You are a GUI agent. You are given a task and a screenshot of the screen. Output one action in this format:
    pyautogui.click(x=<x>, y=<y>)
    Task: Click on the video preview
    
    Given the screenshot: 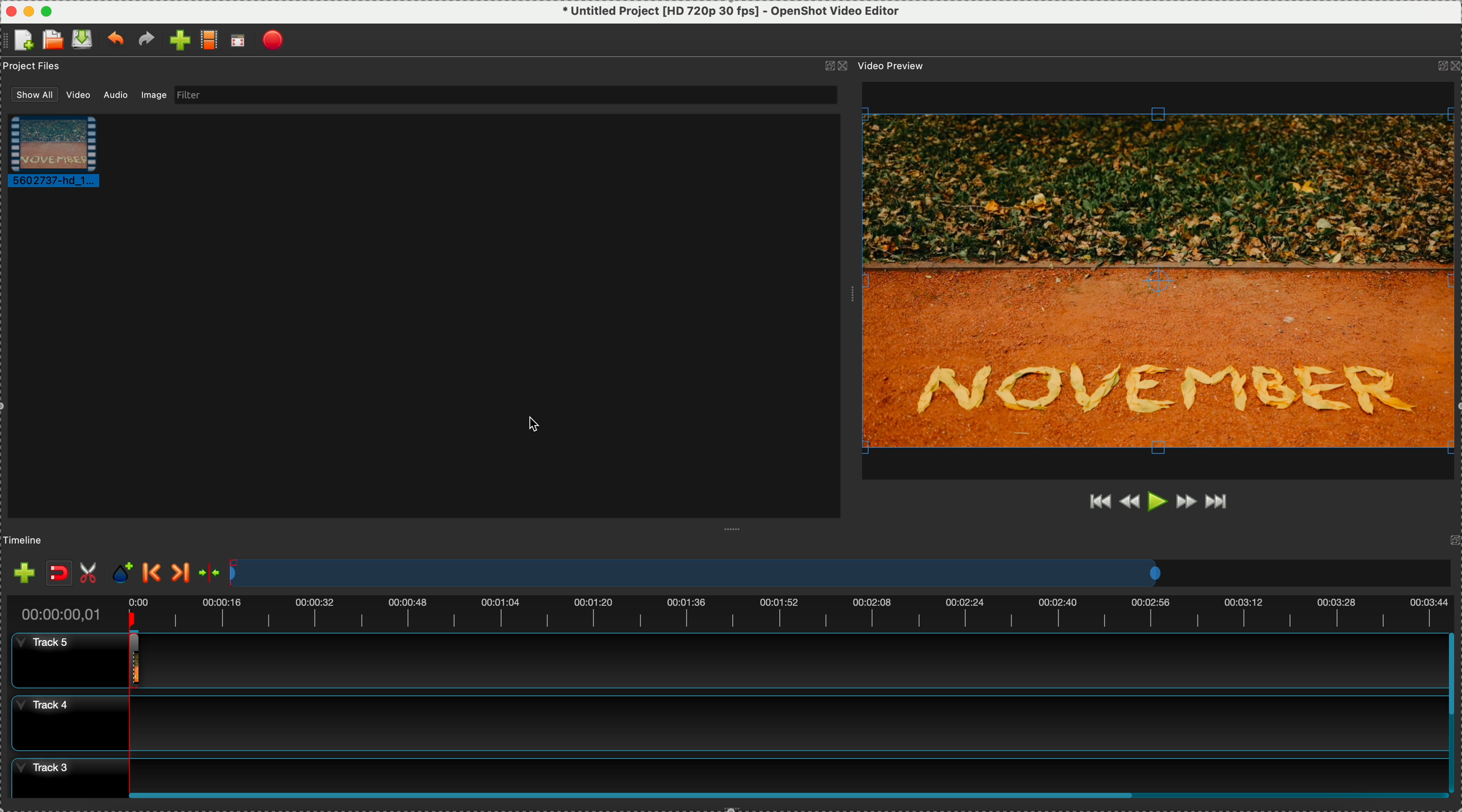 What is the action you would take?
    pyautogui.click(x=899, y=66)
    